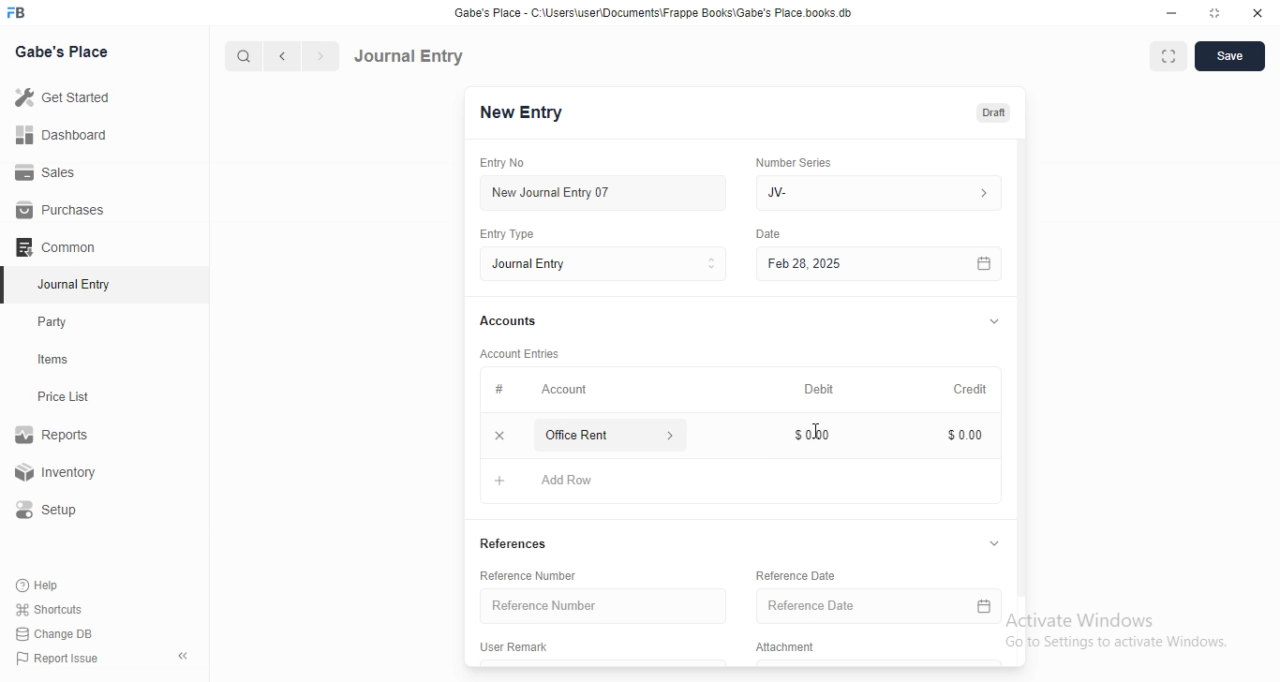  Describe the element at coordinates (55, 658) in the screenshot. I see `‘Report Issue` at that location.